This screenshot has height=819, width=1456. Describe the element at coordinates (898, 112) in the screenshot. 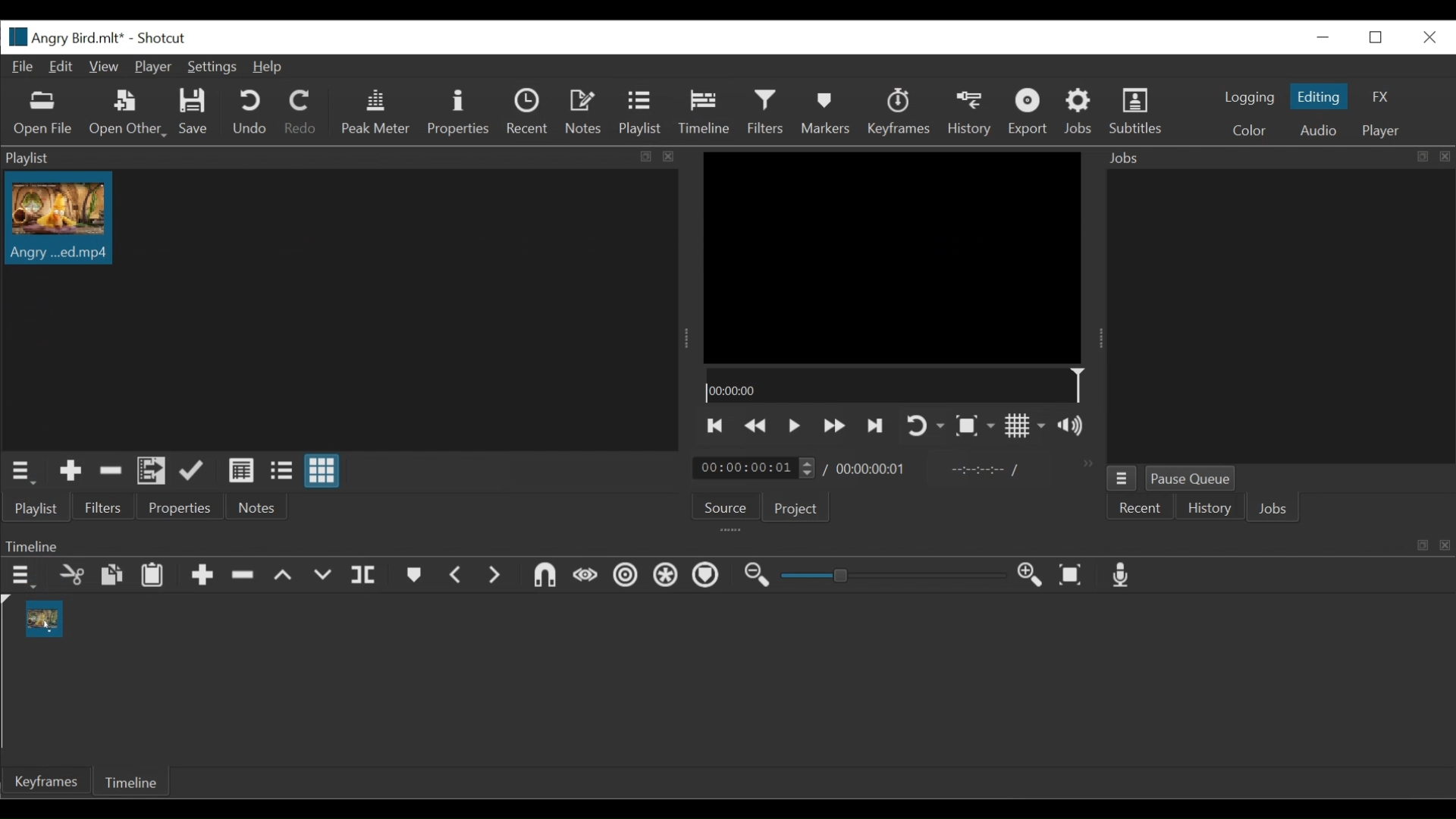

I see `keyframes` at that location.